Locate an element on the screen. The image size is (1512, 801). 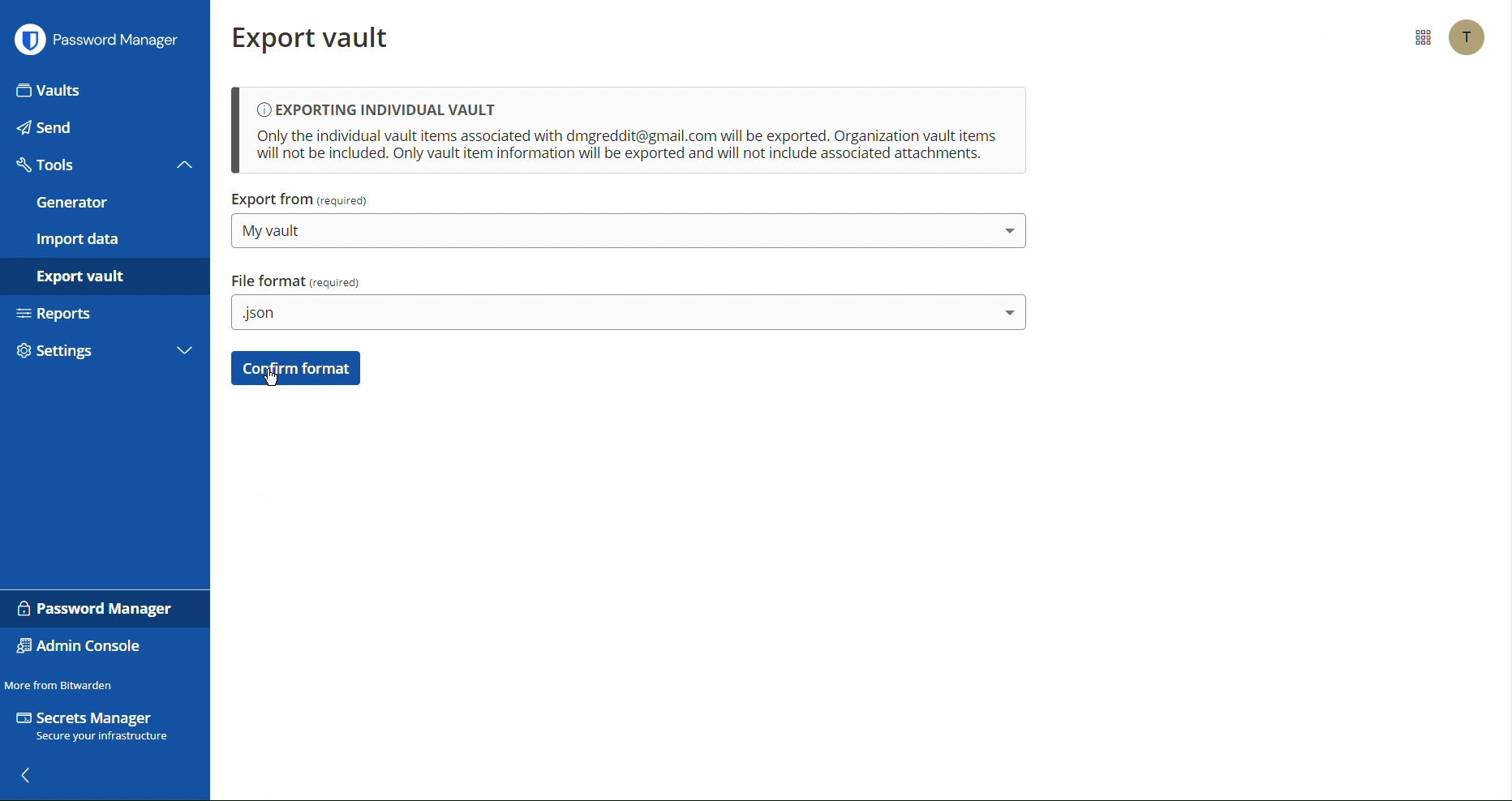
Reports is located at coordinates (102, 317).